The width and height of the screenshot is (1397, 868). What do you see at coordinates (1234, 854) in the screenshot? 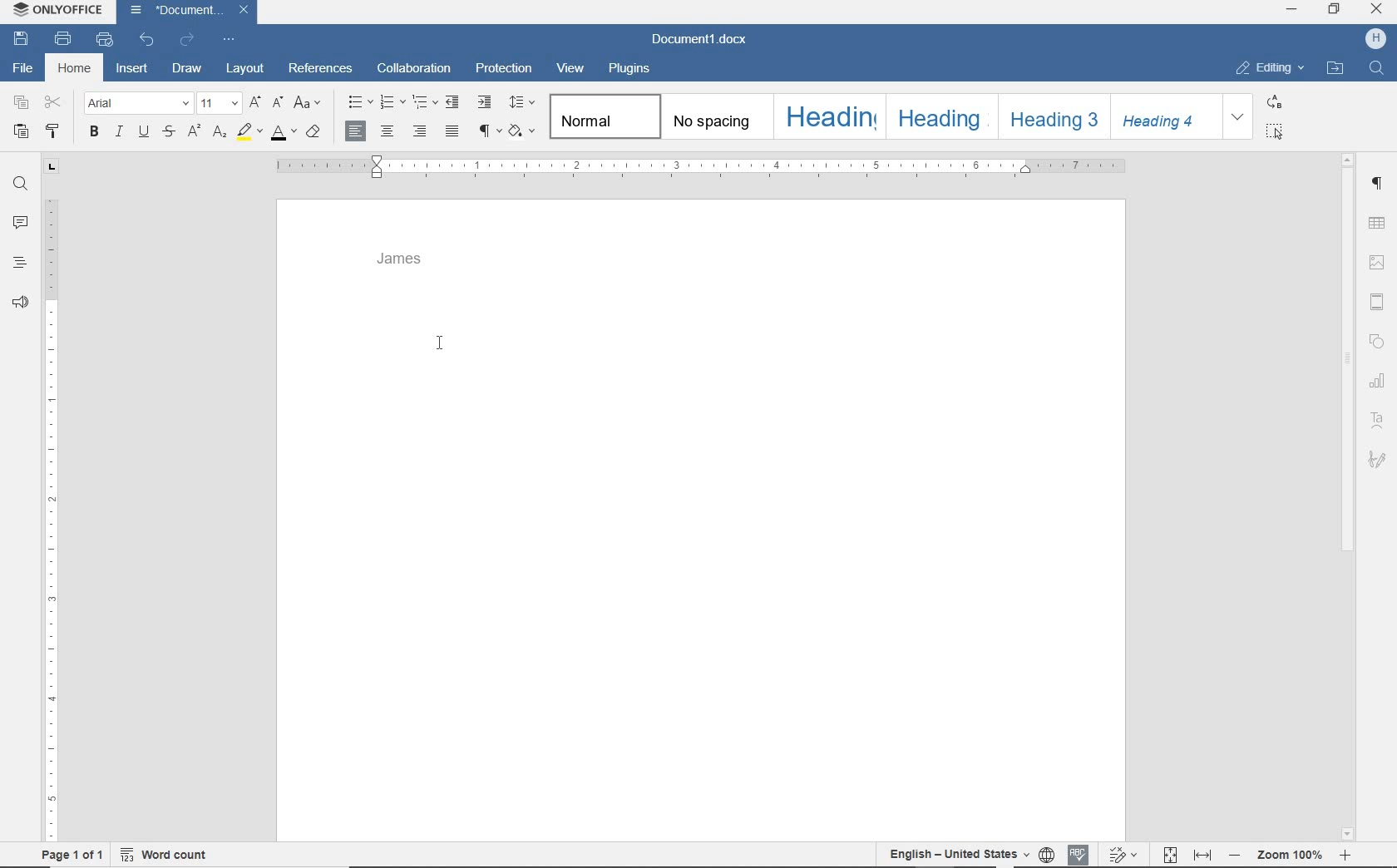
I see `Decreased ` at bounding box center [1234, 854].